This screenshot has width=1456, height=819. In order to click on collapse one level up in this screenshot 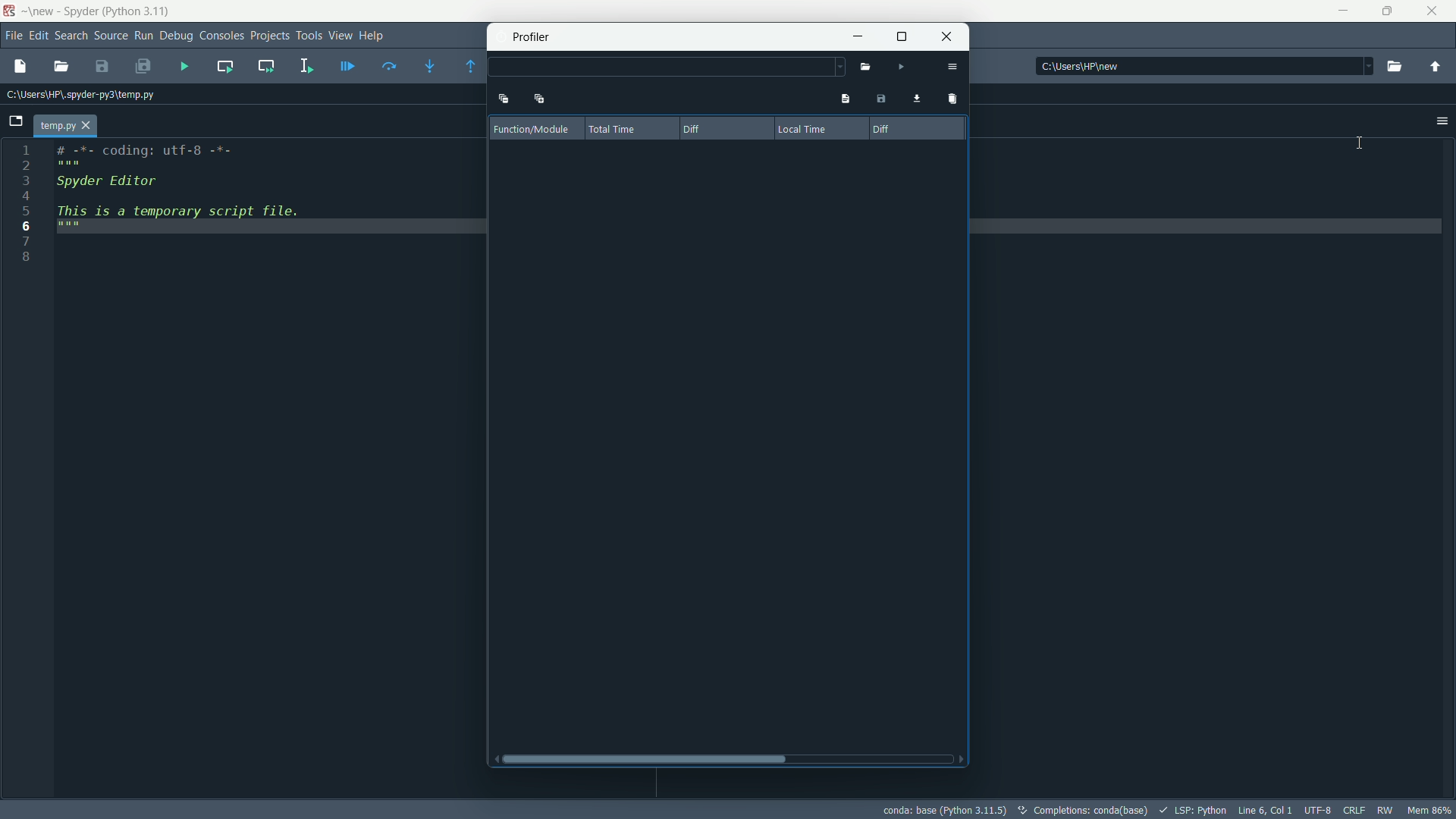, I will do `click(503, 99)`.